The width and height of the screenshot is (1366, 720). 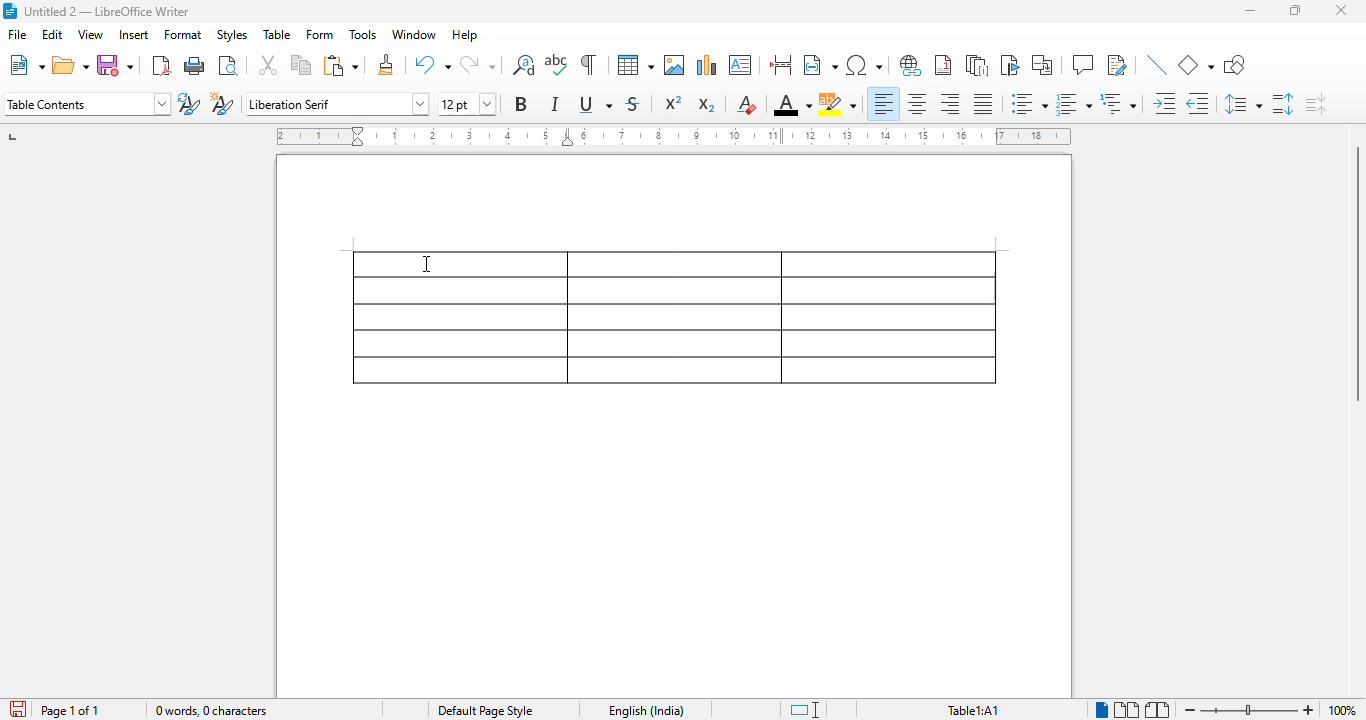 What do you see at coordinates (674, 318) in the screenshot?
I see `table` at bounding box center [674, 318].